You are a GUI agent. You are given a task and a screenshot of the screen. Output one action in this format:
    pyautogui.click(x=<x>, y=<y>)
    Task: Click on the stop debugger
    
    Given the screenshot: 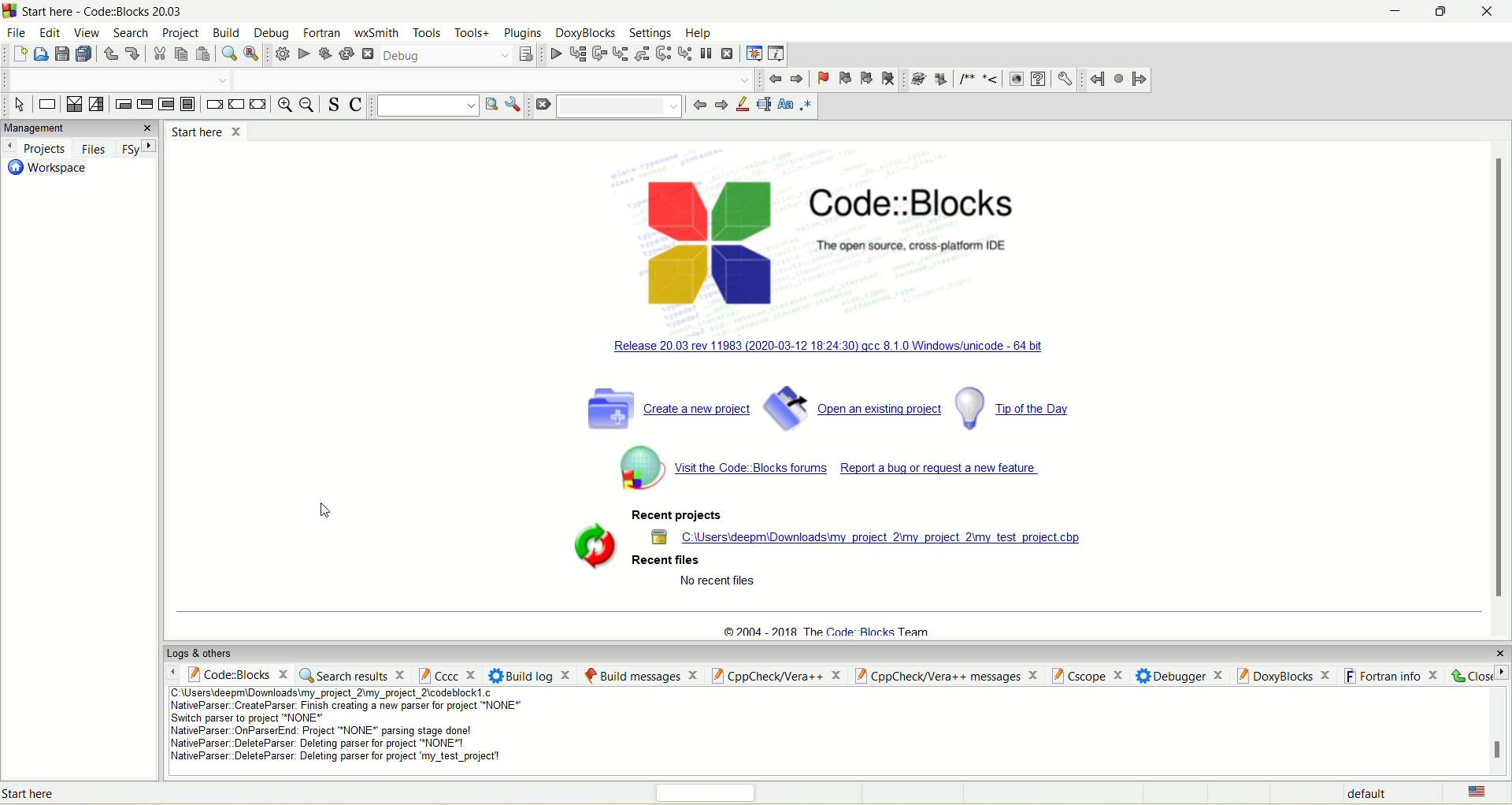 What is the action you would take?
    pyautogui.click(x=731, y=55)
    